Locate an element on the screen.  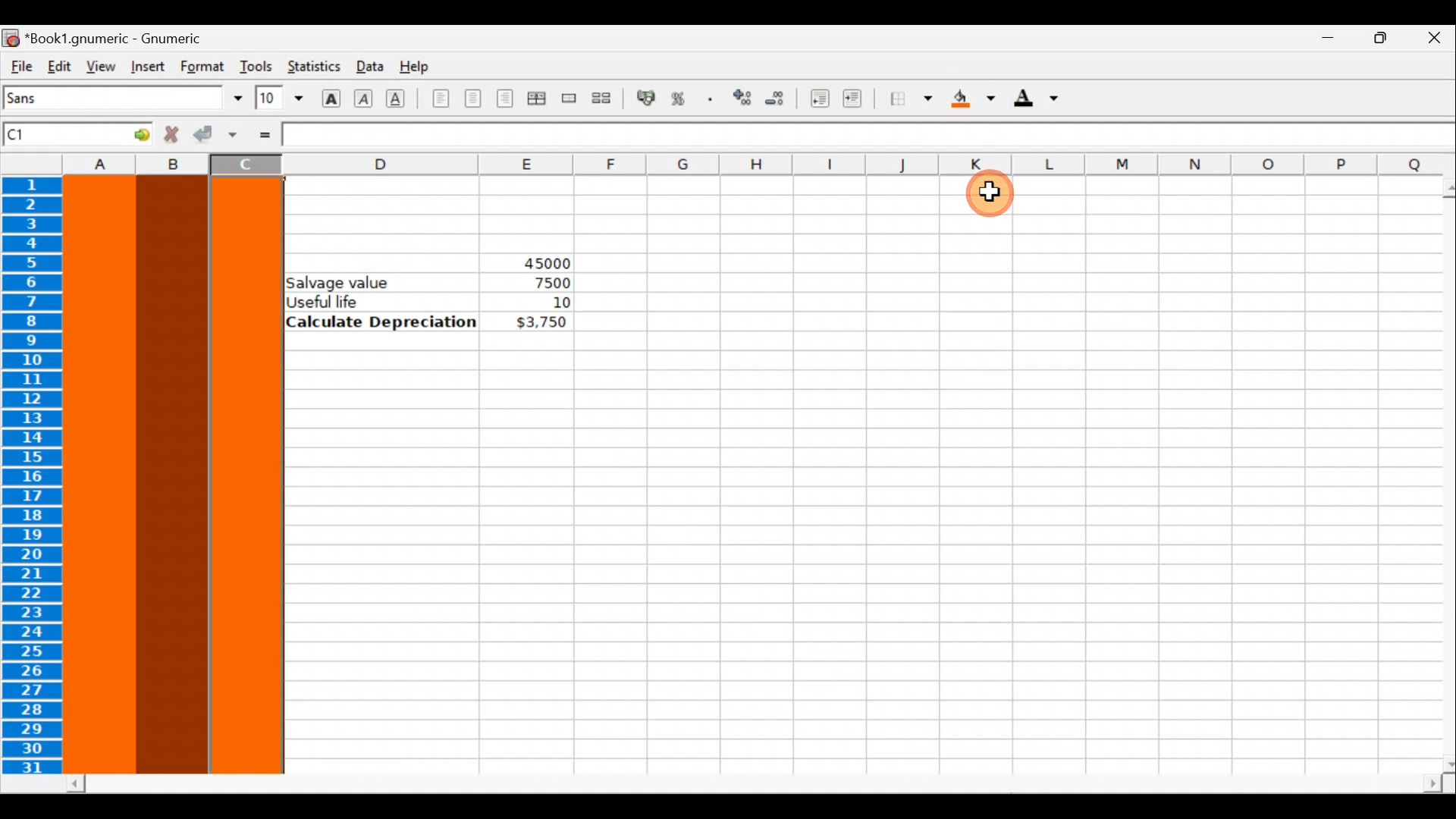
Selected Column A highlighted with color is located at coordinates (100, 475).